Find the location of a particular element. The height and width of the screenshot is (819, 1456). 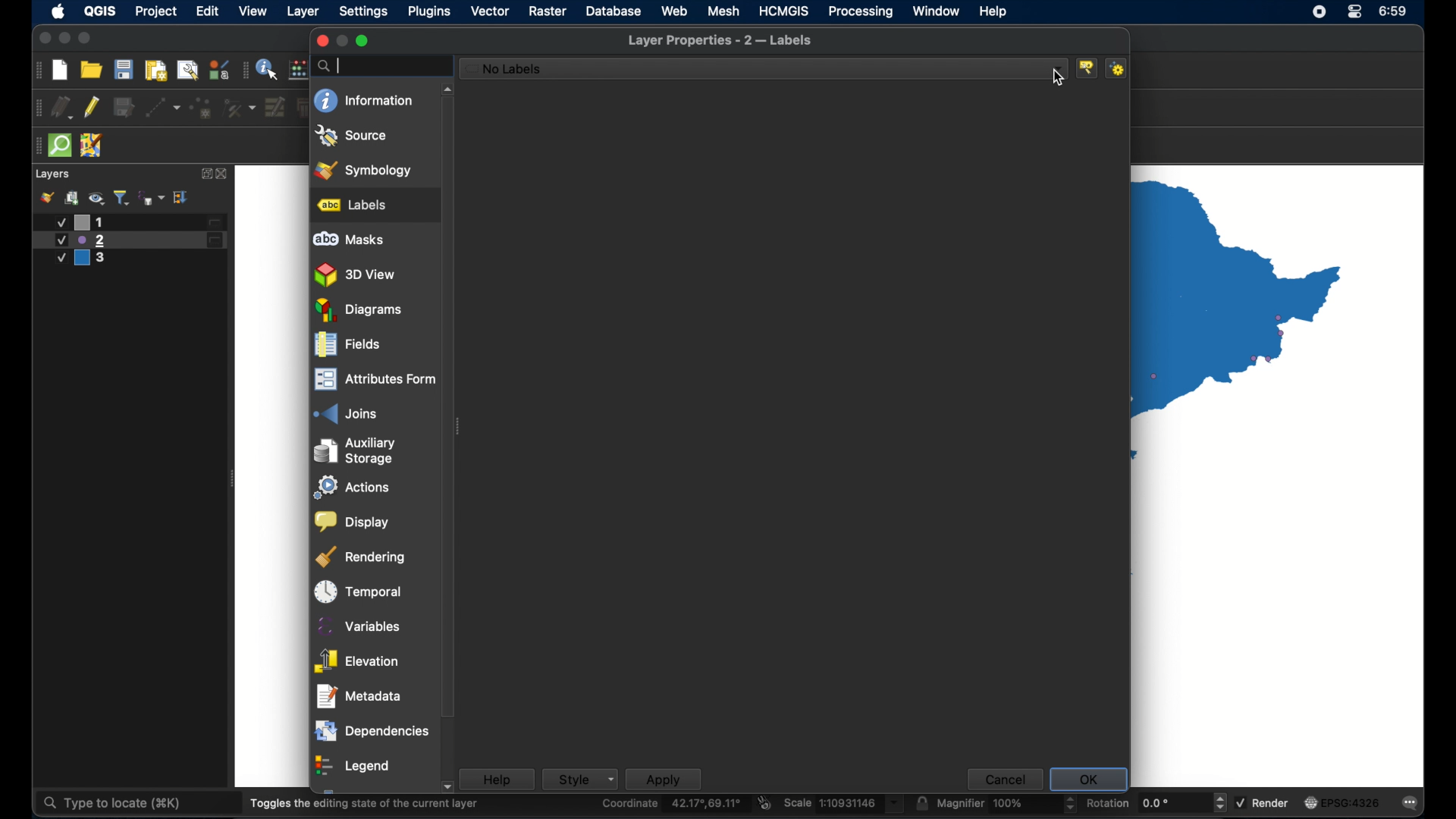

modify attributes is located at coordinates (275, 107).